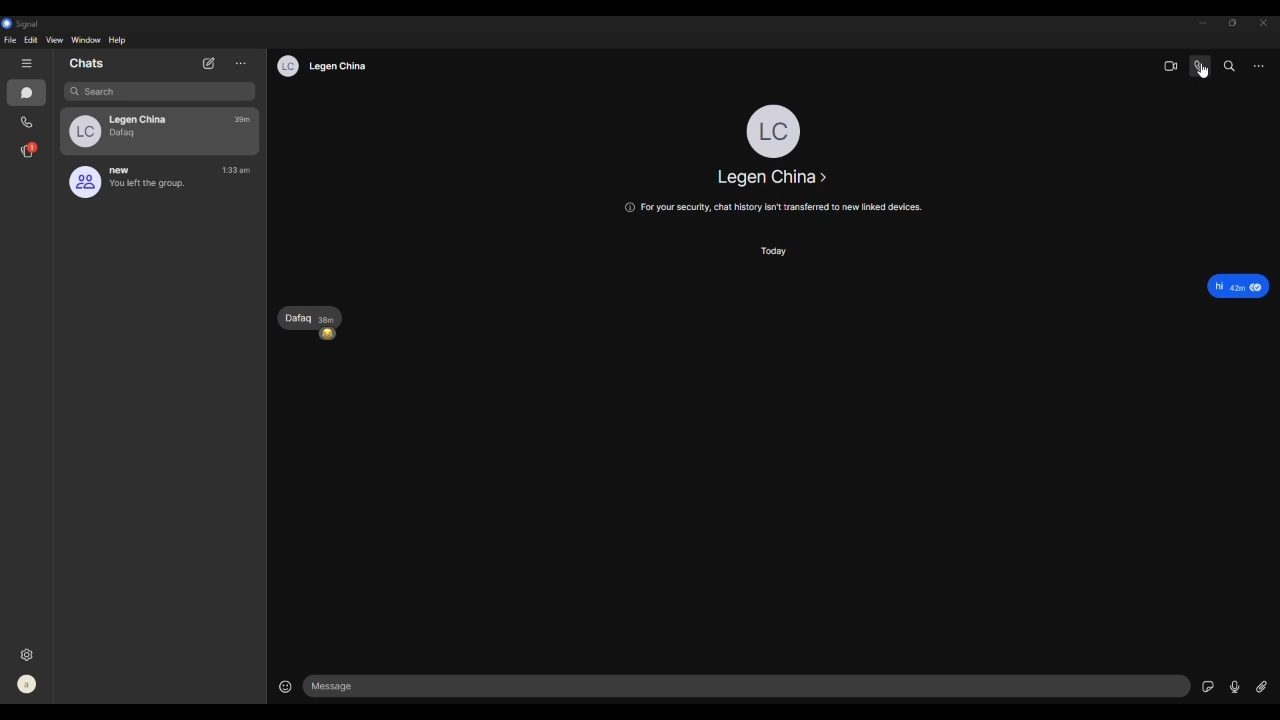 The height and width of the screenshot is (720, 1280). Describe the element at coordinates (86, 40) in the screenshot. I see `window` at that location.